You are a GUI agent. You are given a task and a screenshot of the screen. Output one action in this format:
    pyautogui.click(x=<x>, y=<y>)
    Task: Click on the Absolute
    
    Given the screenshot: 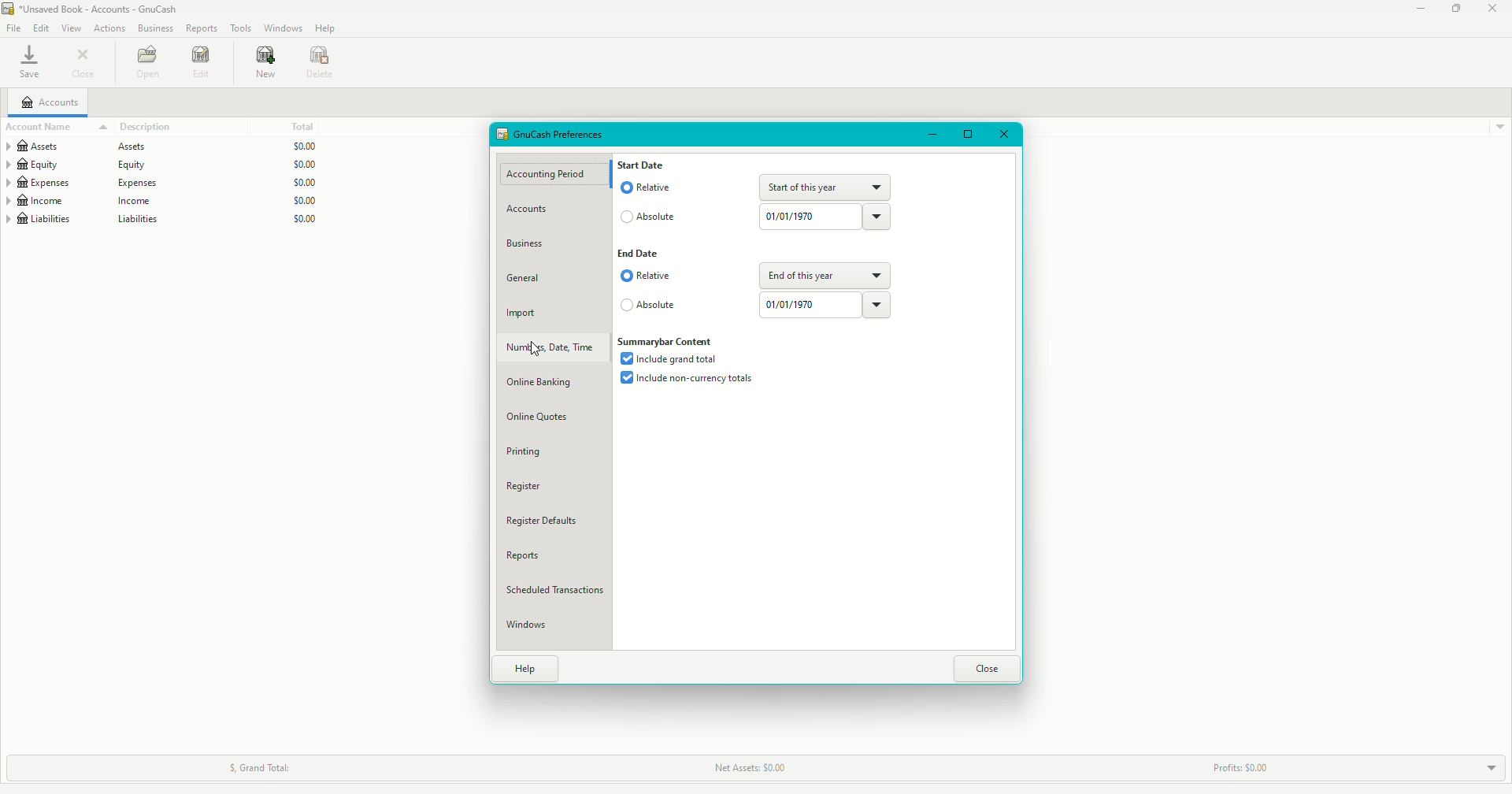 What is the action you would take?
    pyautogui.click(x=655, y=304)
    